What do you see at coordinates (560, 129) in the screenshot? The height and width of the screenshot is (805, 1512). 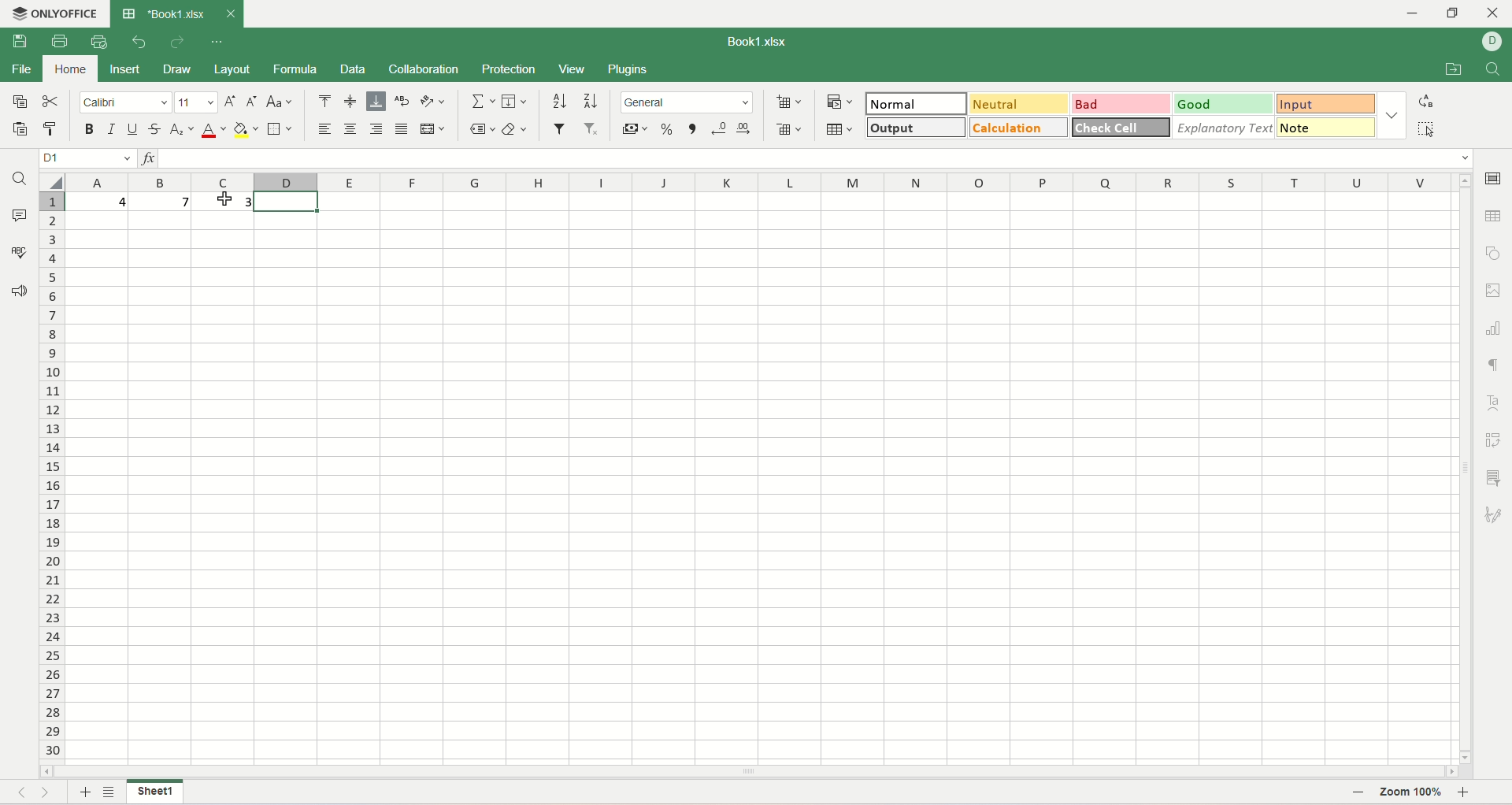 I see `filter` at bounding box center [560, 129].